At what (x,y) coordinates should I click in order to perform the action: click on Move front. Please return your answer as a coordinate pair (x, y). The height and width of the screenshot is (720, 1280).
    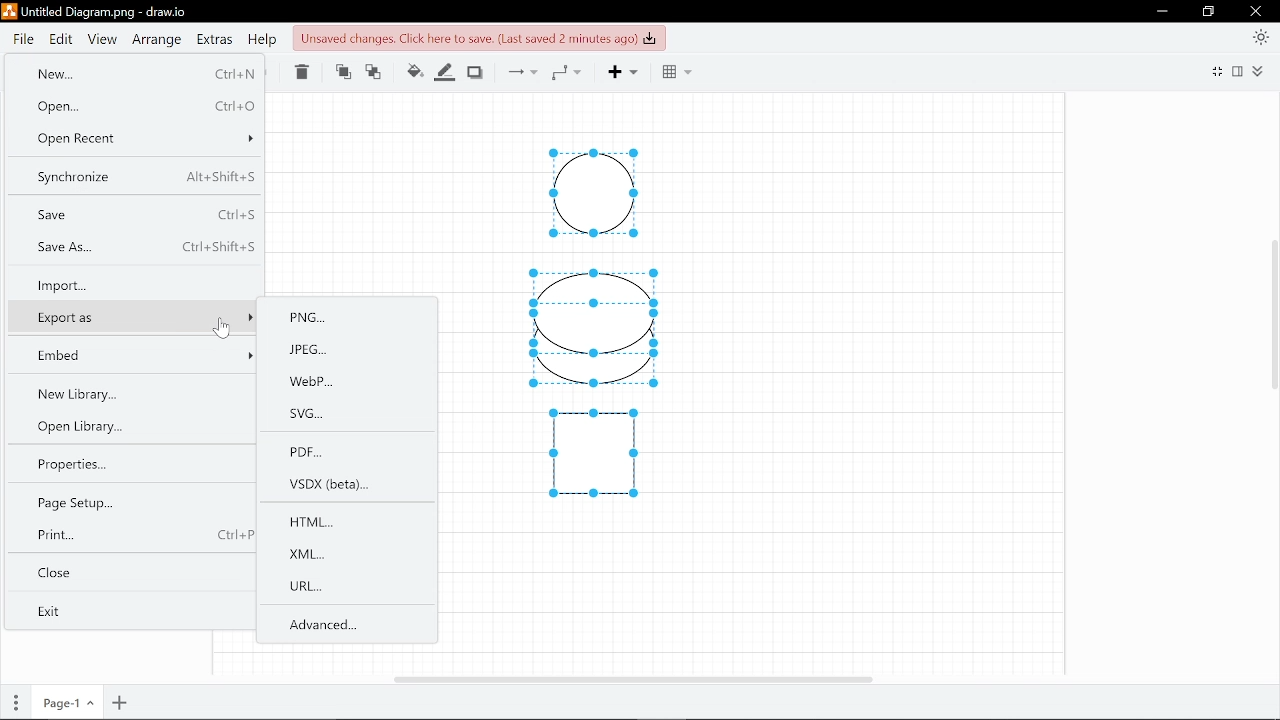
    Looking at the image, I should click on (343, 72).